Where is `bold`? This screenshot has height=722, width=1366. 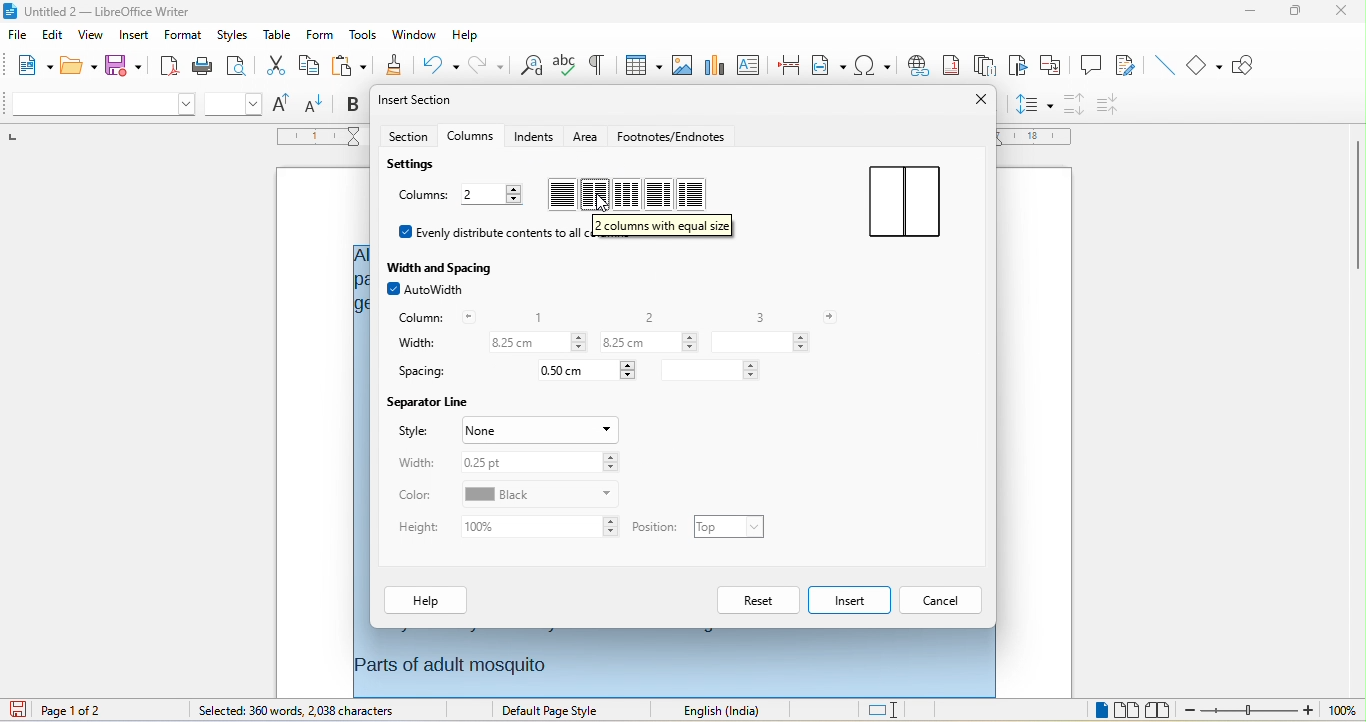 bold is located at coordinates (353, 103).